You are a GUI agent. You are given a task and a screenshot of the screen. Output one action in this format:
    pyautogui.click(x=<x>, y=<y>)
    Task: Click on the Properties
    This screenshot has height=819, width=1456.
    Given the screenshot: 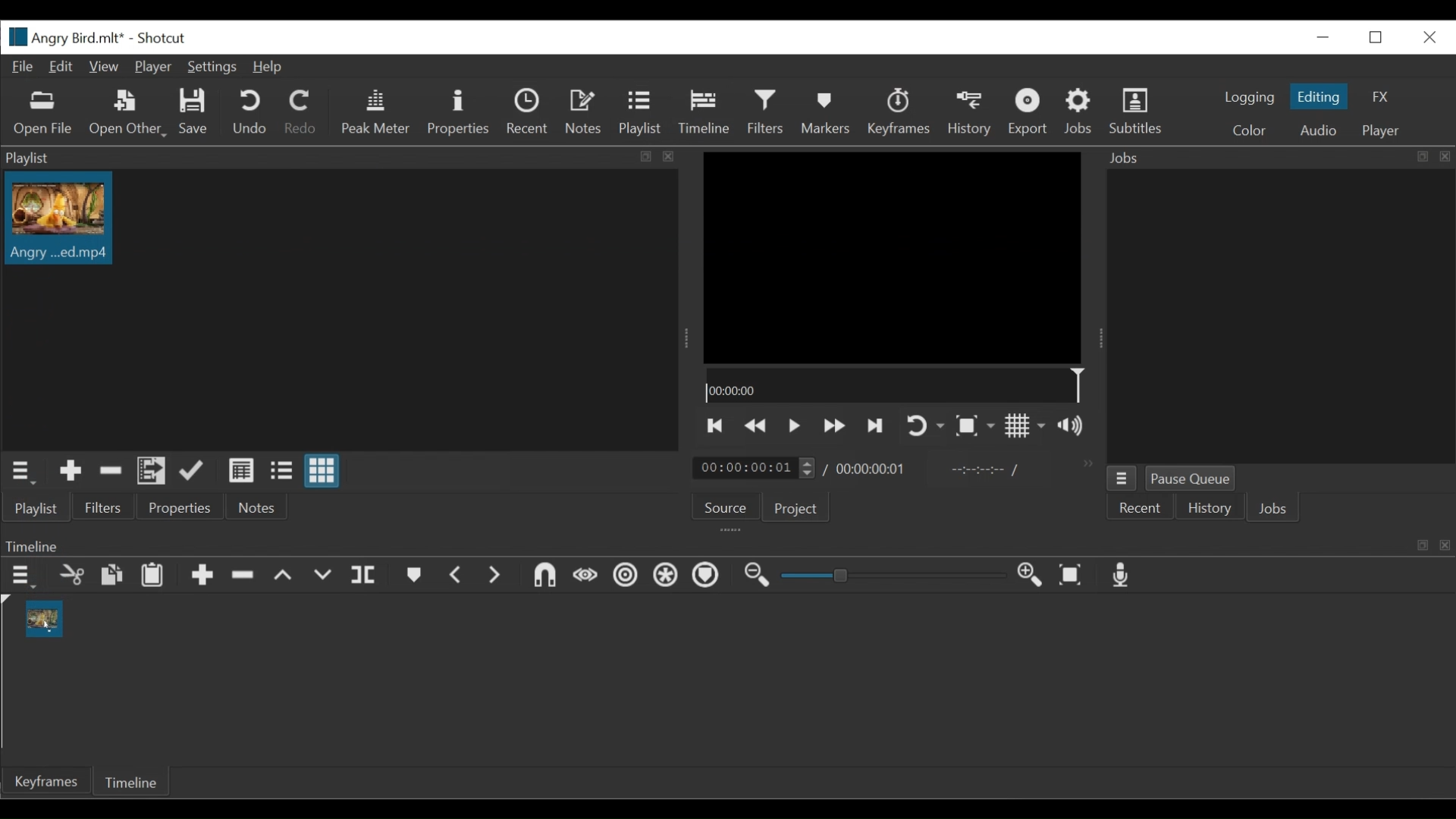 What is the action you would take?
    pyautogui.click(x=180, y=509)
    